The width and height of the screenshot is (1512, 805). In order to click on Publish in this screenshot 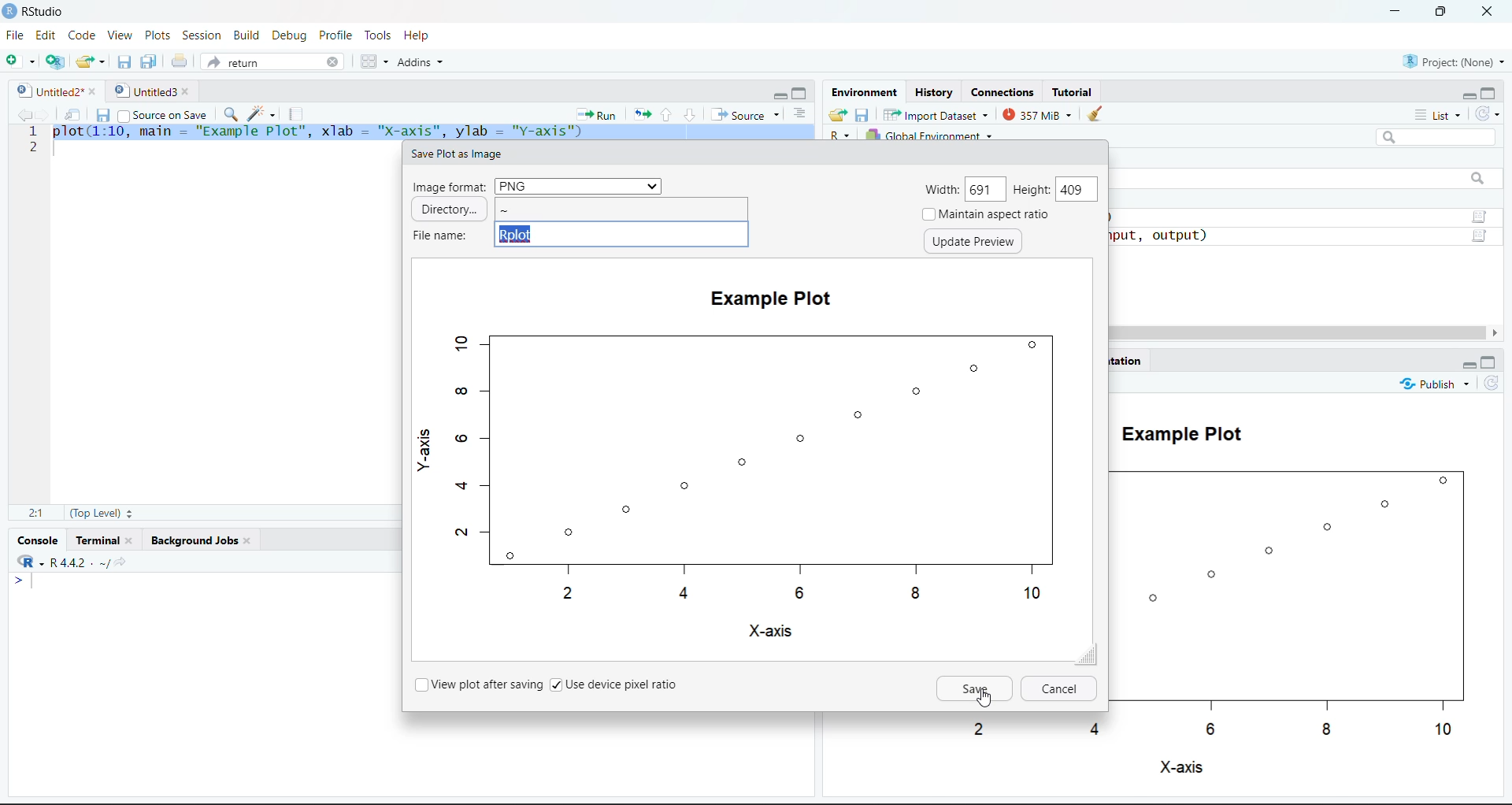, I will do `click(1434, 382)`.